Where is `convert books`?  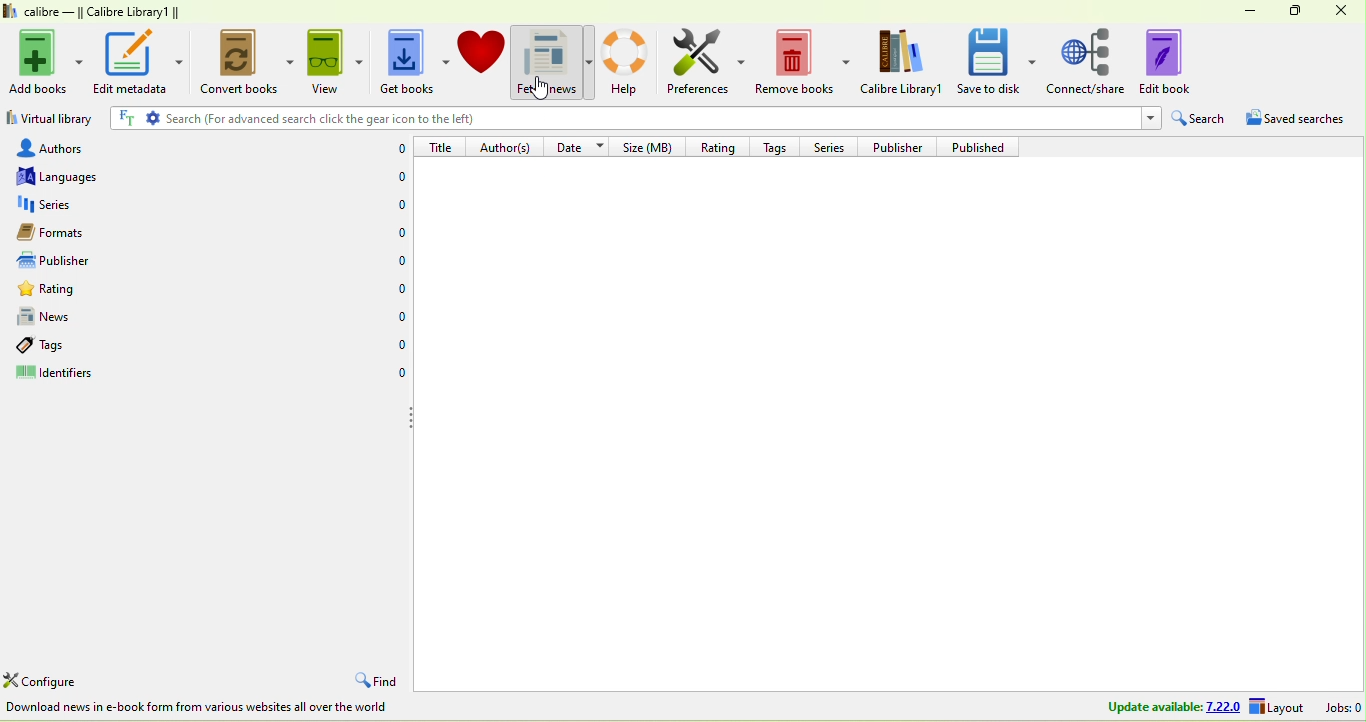
convert books is located at coordinates (237, 63).